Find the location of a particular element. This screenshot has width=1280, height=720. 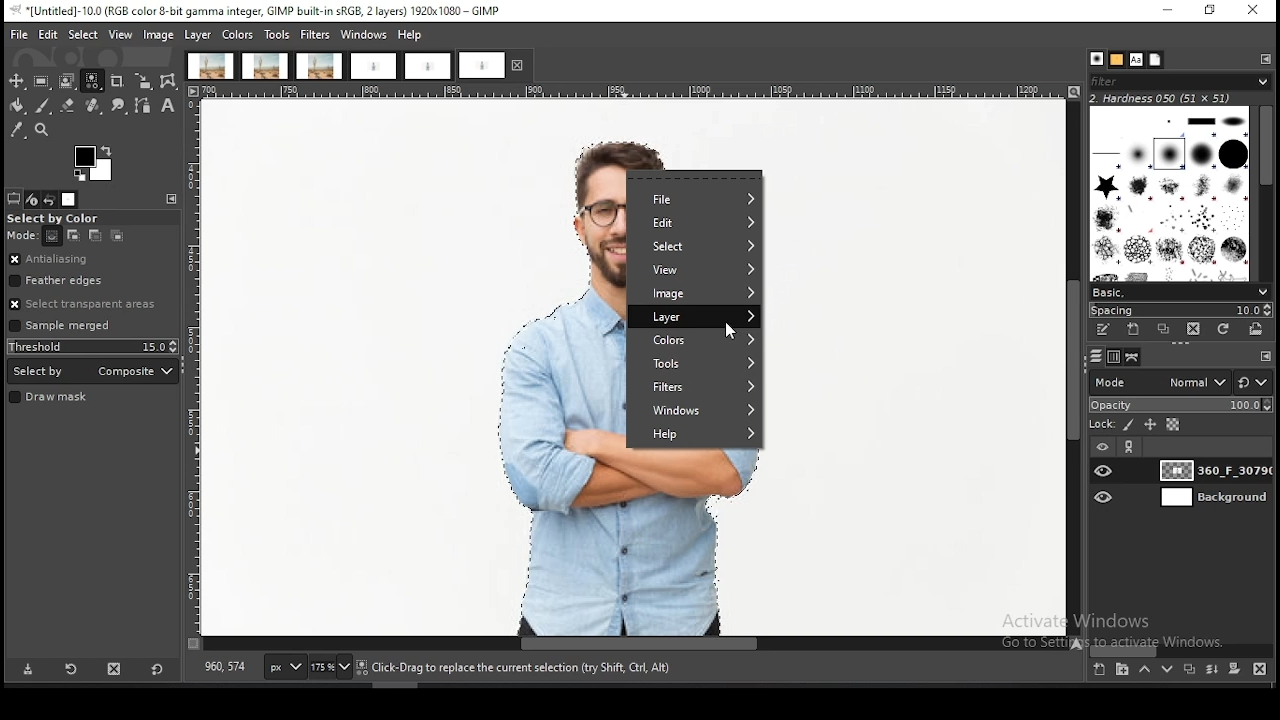

images is located at coordinates (69, 200).